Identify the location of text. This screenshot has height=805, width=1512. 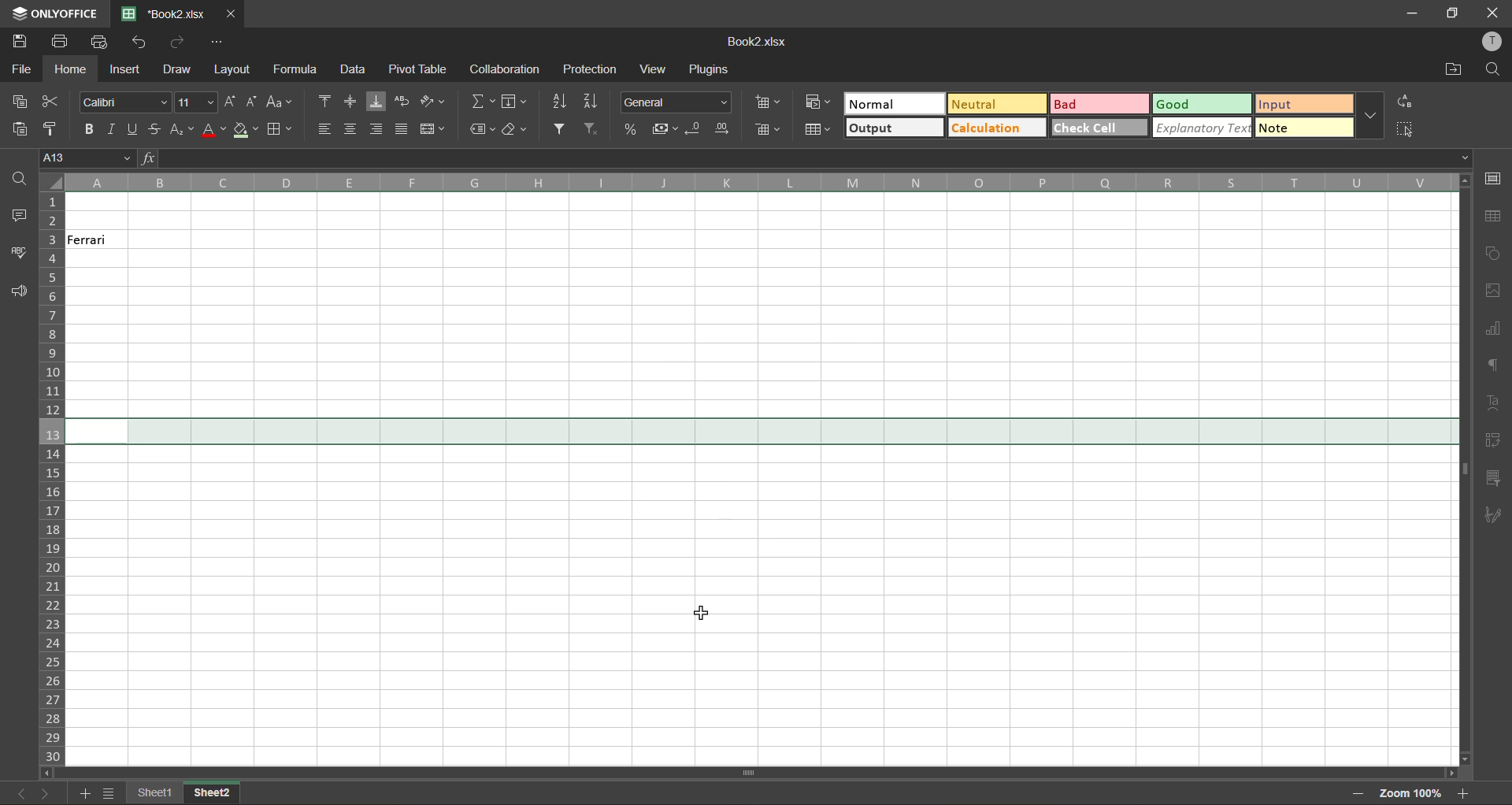
(1493, 403).